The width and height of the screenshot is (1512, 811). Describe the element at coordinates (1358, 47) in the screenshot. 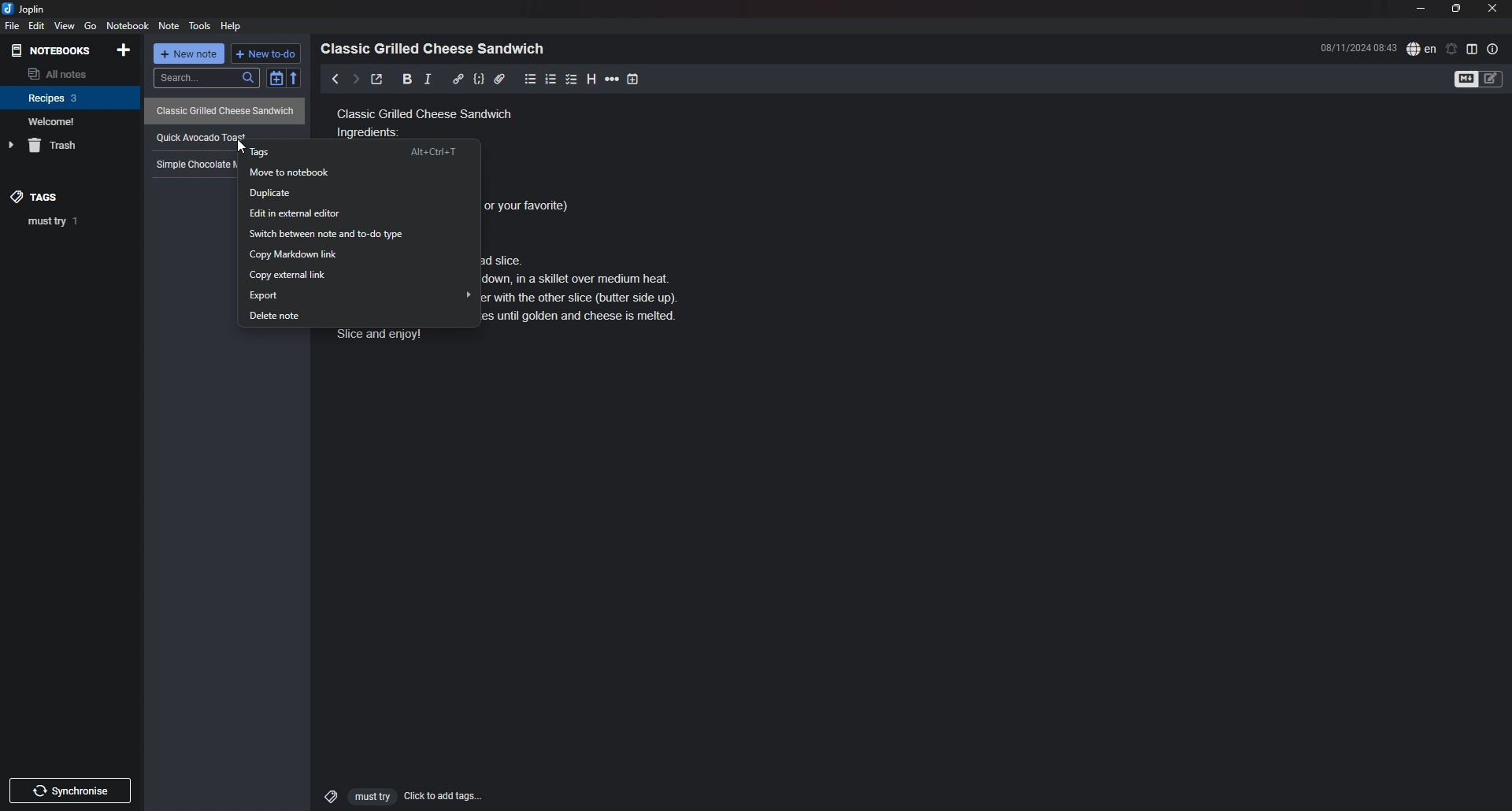

I see `time` at that location.